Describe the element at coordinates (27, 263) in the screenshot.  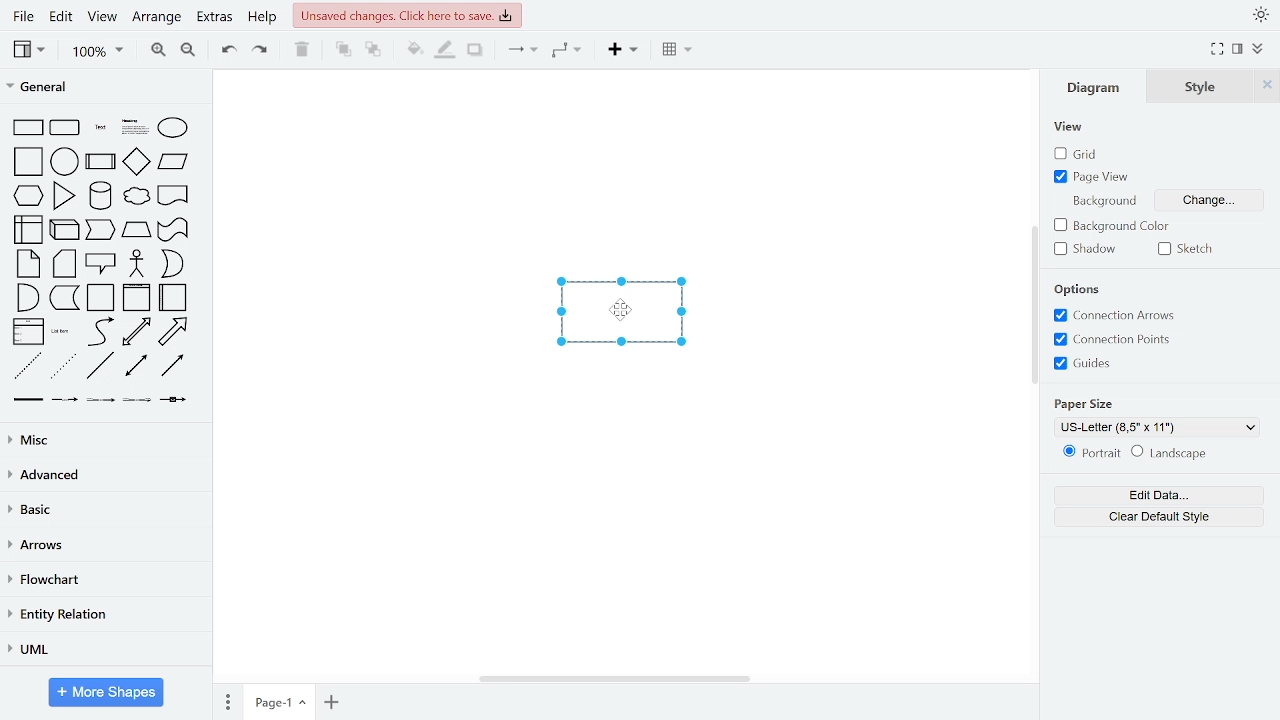
I see `general shapes` at that location.